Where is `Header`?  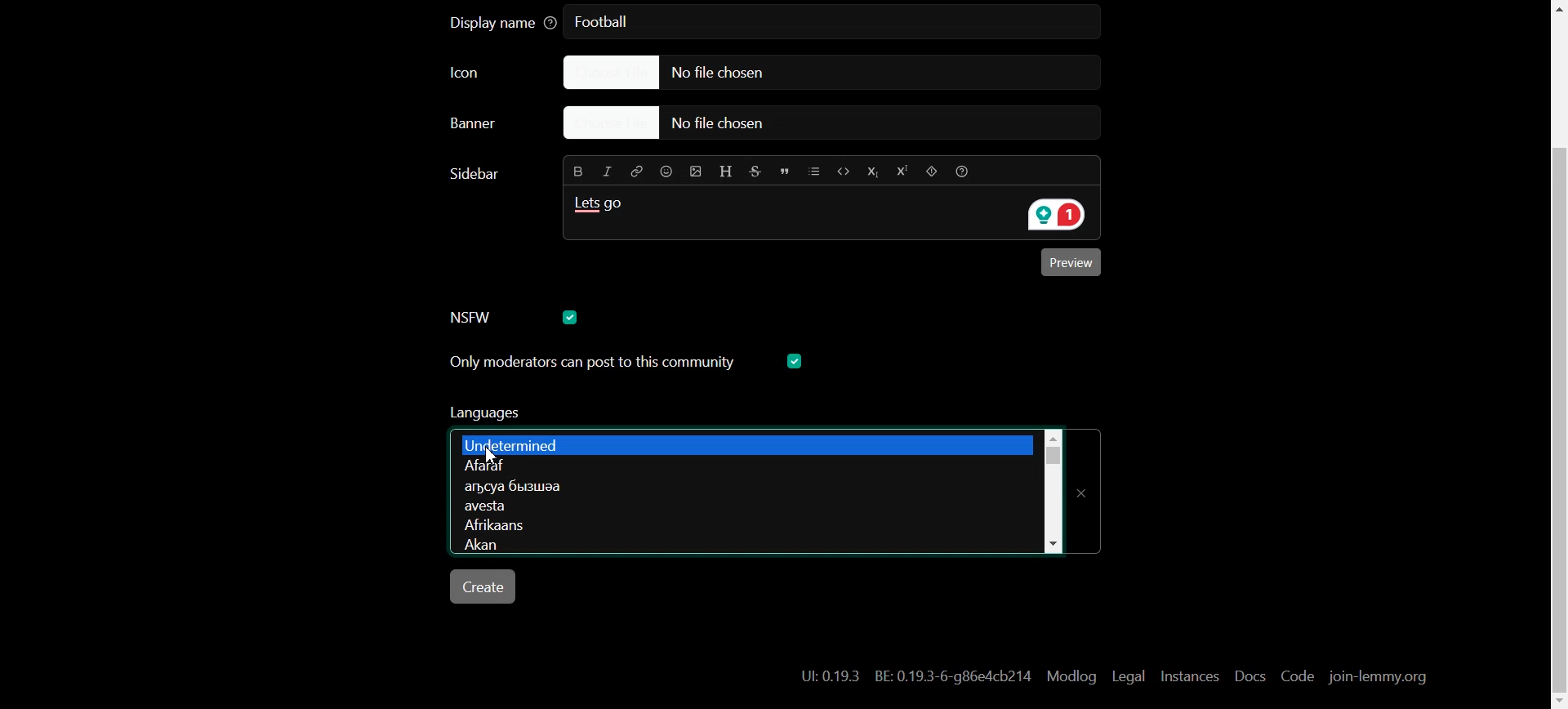
Header is located at coordinates (726, 169).